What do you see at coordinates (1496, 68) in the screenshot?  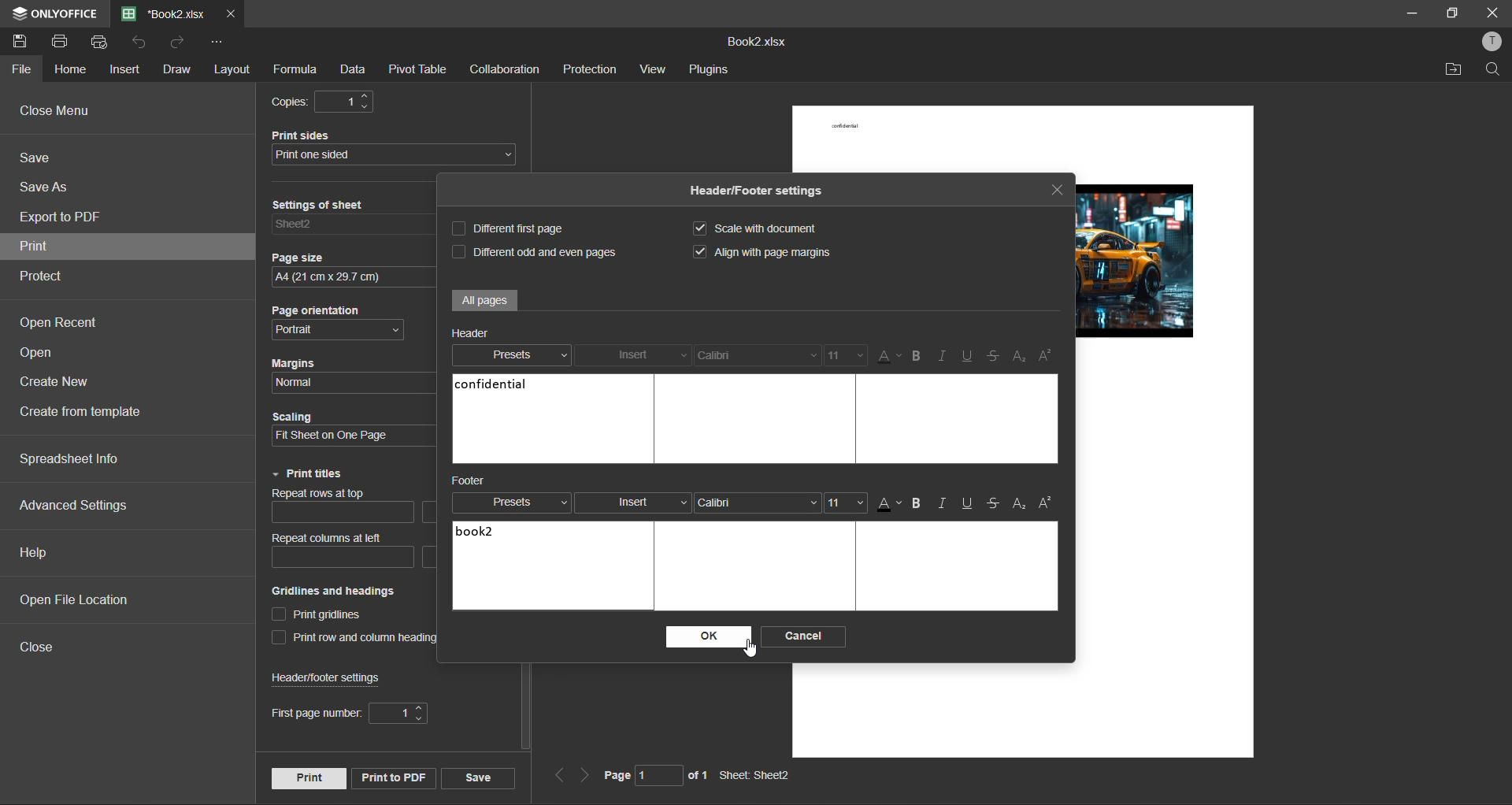 I see `find` at bounding box center [1496, 68].